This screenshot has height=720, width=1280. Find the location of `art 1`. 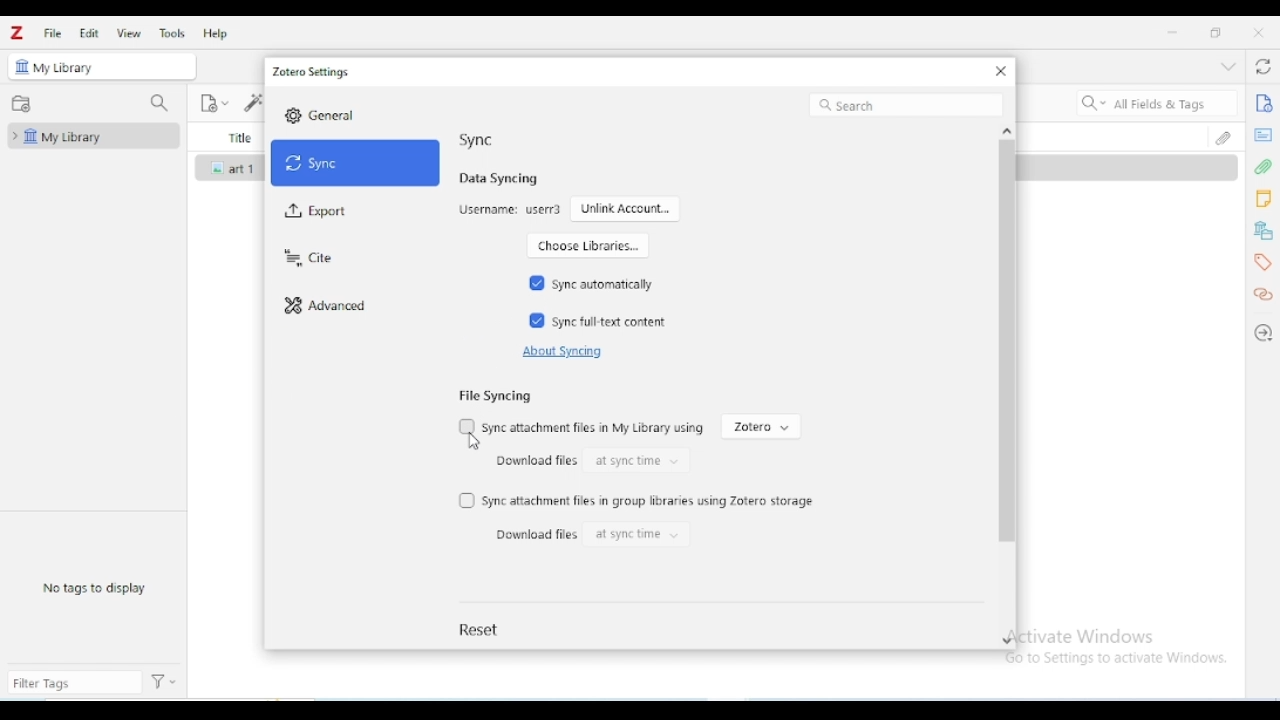

art 1 is located at coordinates (245, 169).